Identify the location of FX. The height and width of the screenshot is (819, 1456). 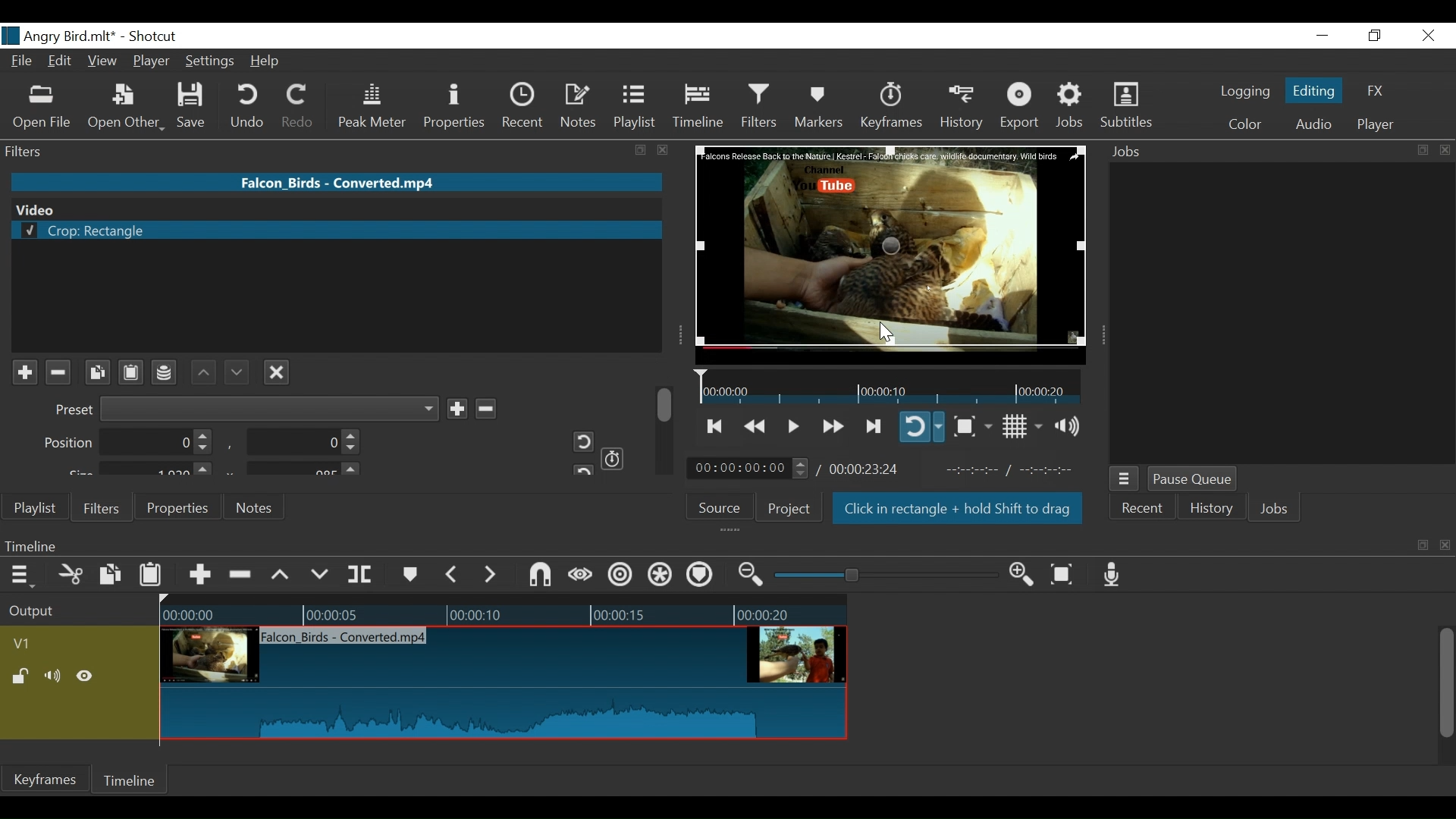
(1373, 93).